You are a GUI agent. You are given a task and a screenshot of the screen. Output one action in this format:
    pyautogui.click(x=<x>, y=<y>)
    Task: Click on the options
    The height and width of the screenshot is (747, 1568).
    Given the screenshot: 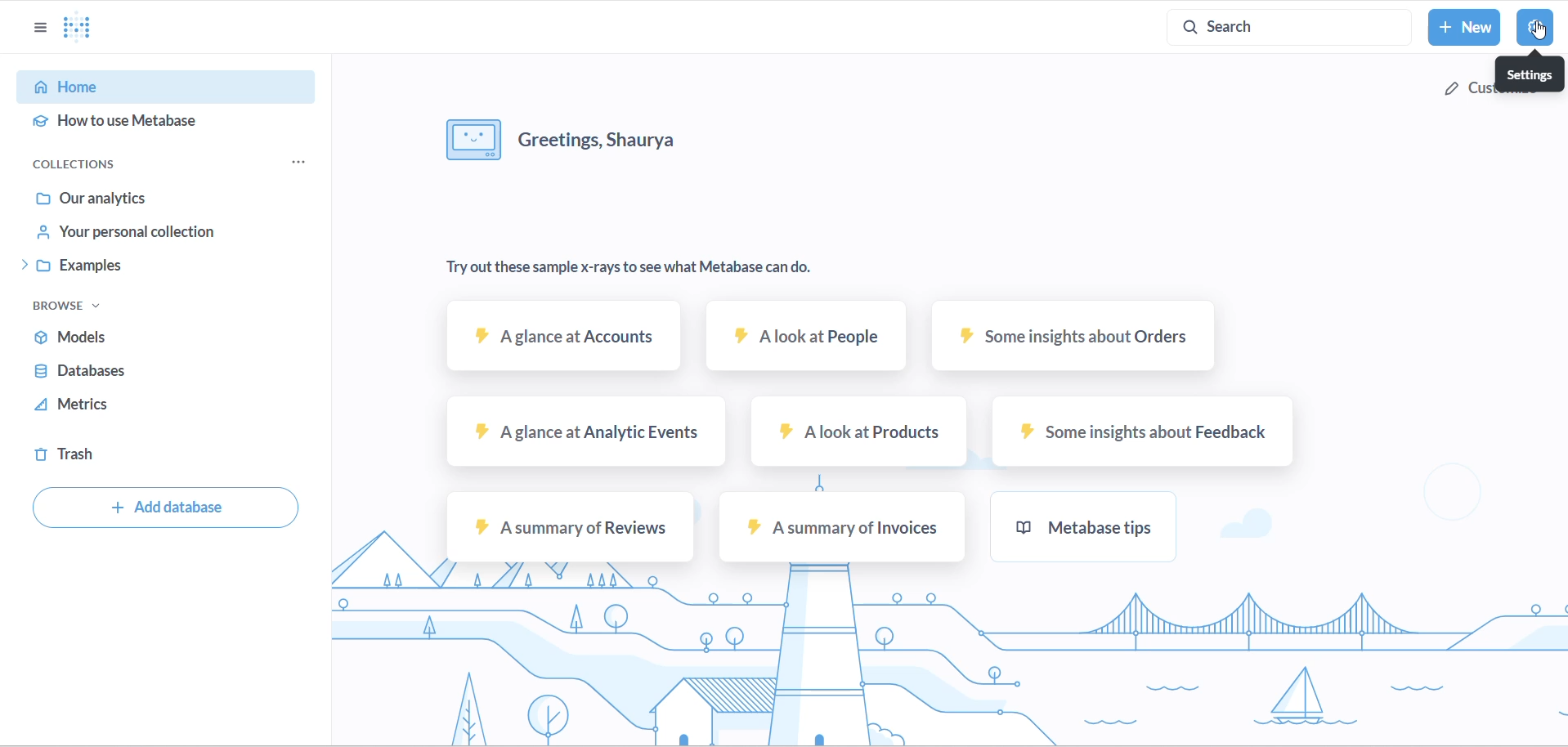 What is the action you would take?
    pyautogui.click(x=40, y=28)
    